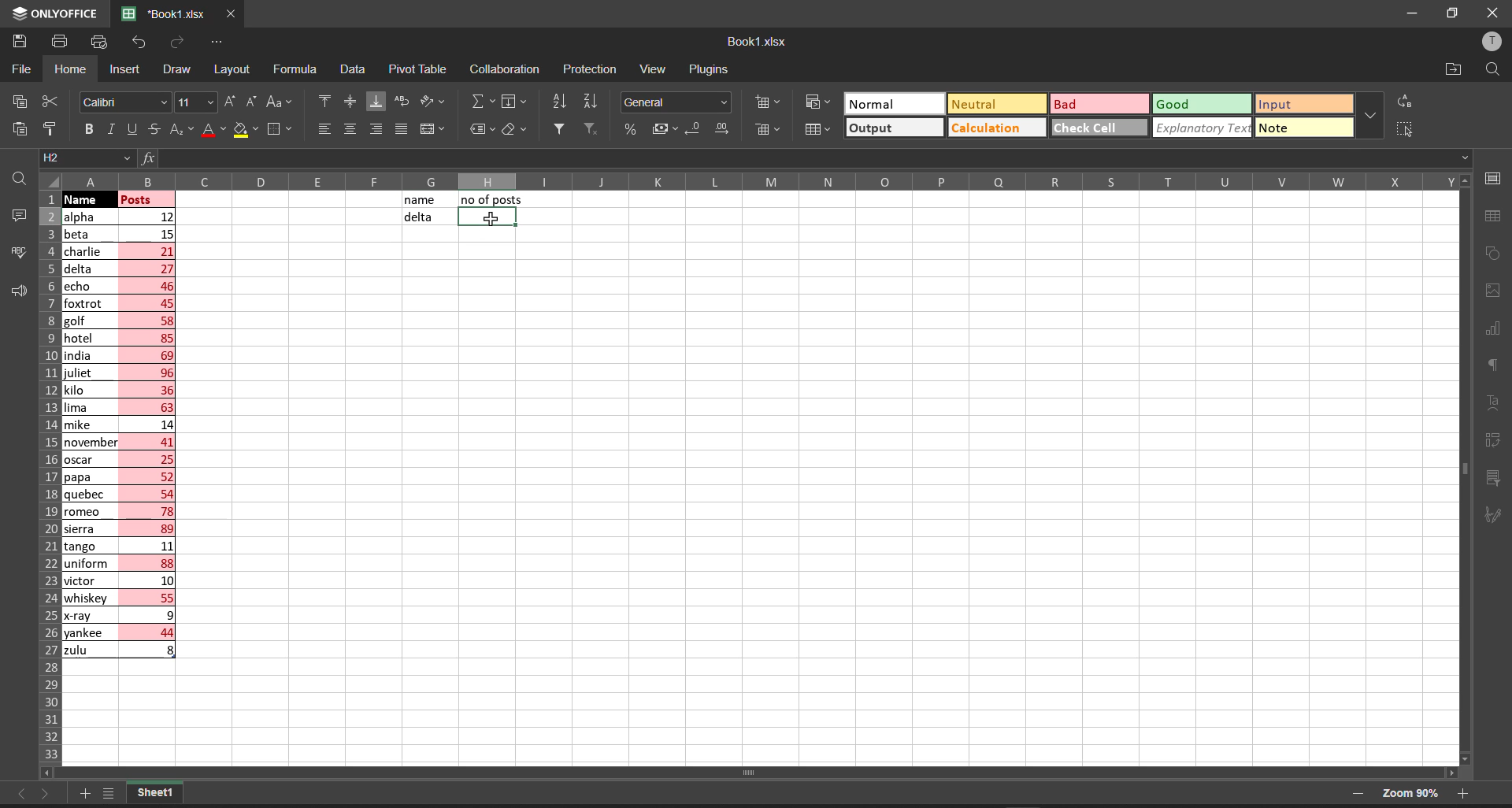 This screenshot has height=808, width=1512. What do you see at coordinates (19, 42) in the screenshot?
I see `save` at bounding box center [19, 42].